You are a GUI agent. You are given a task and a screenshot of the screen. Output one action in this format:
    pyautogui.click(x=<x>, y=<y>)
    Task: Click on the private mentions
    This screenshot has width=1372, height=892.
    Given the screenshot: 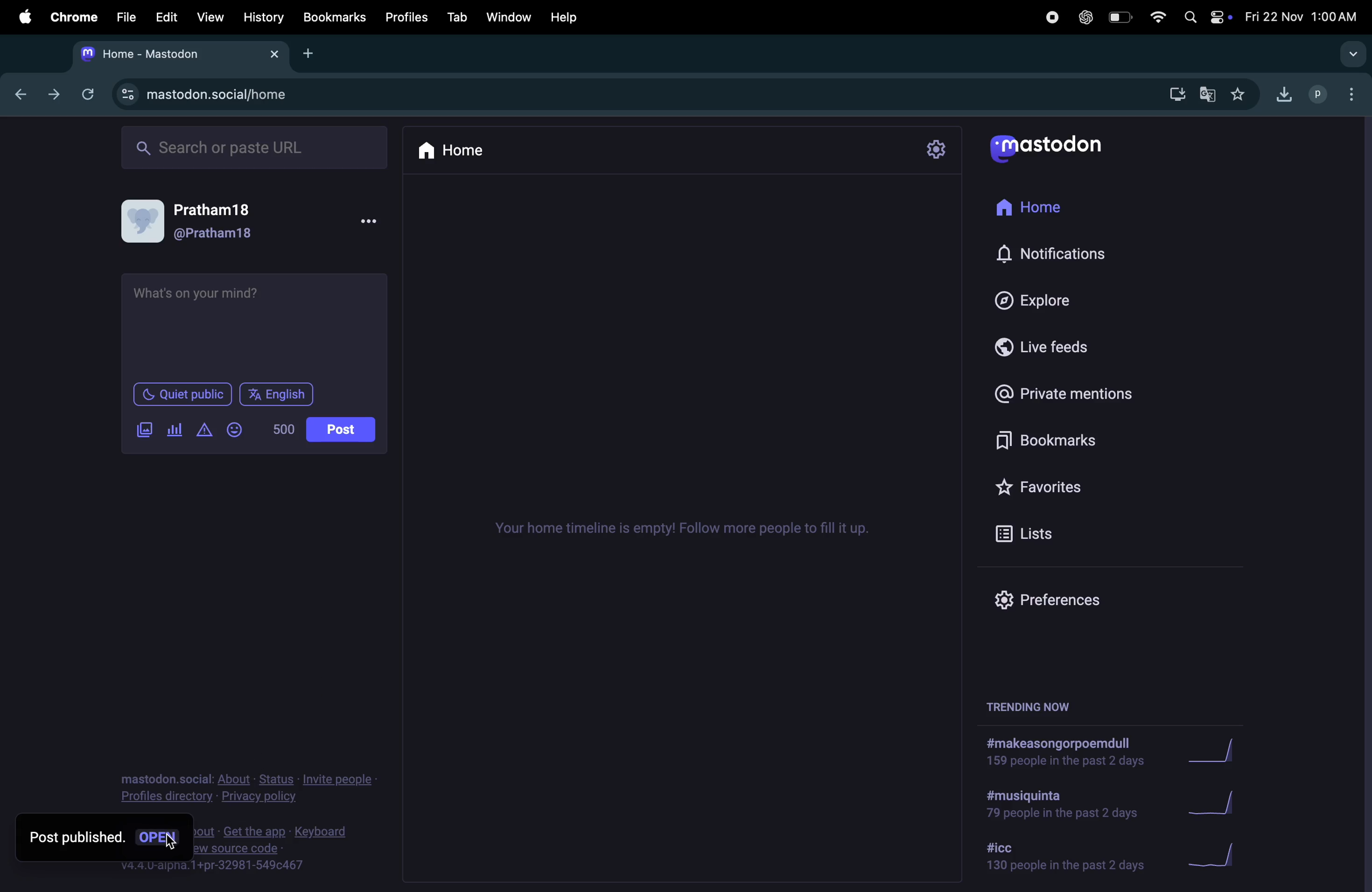 What is the action you would take?
    pyautogui.click(x=1080, y=390)
    